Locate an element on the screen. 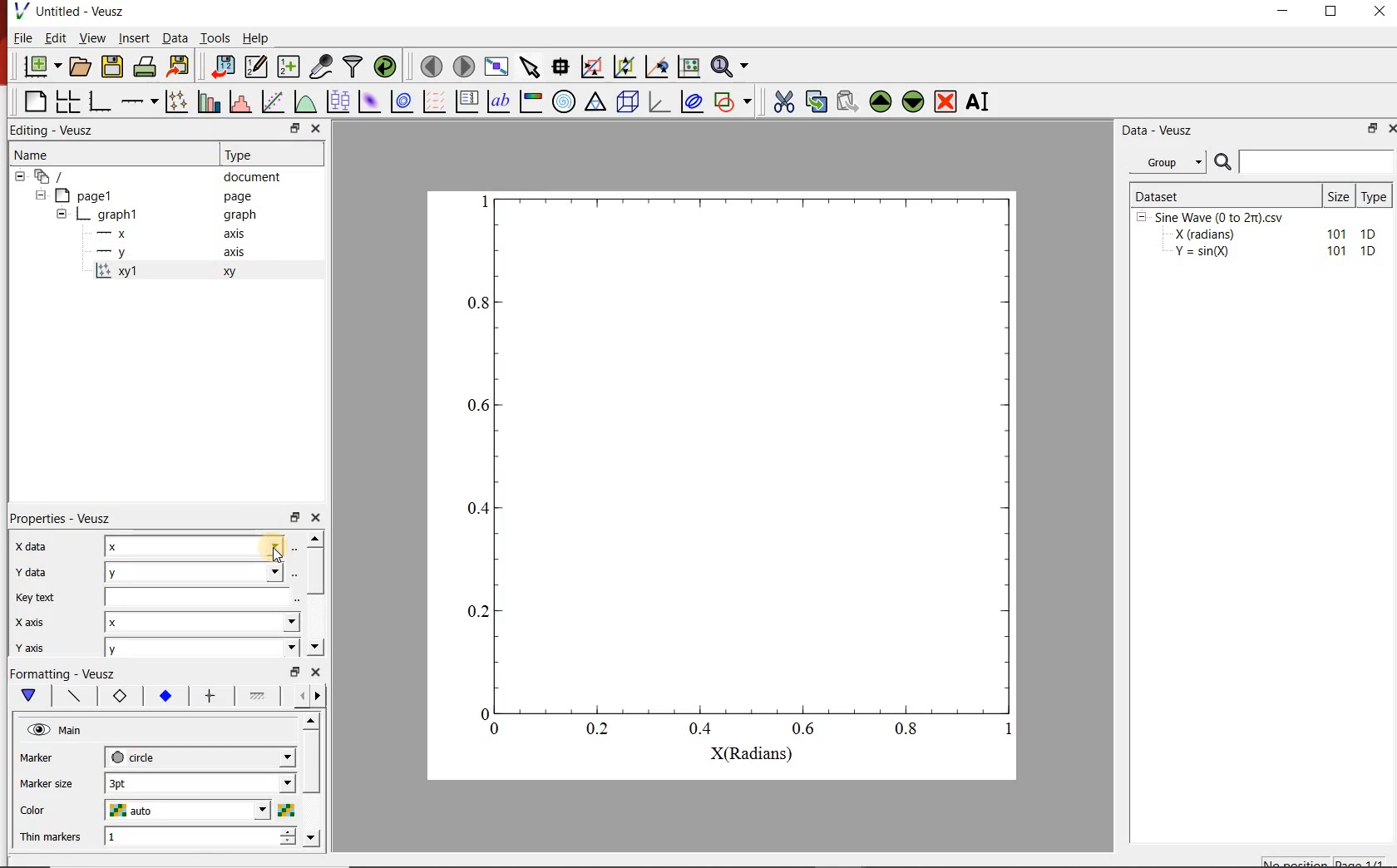 This screenshot has width=1397, height=868. plot key is located at coordinates (468, 101).